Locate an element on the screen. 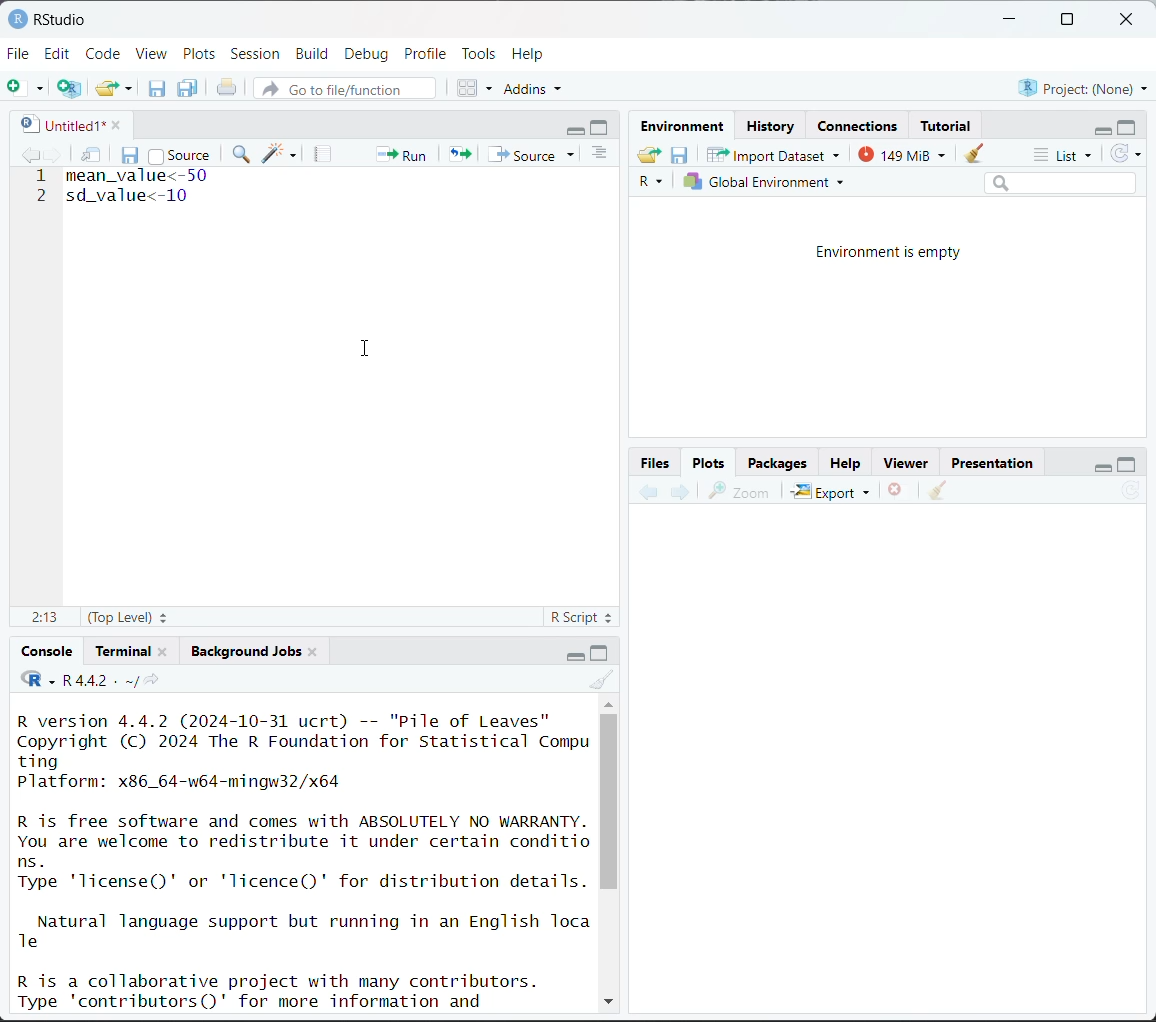  close is located at coordinates (111, 123).